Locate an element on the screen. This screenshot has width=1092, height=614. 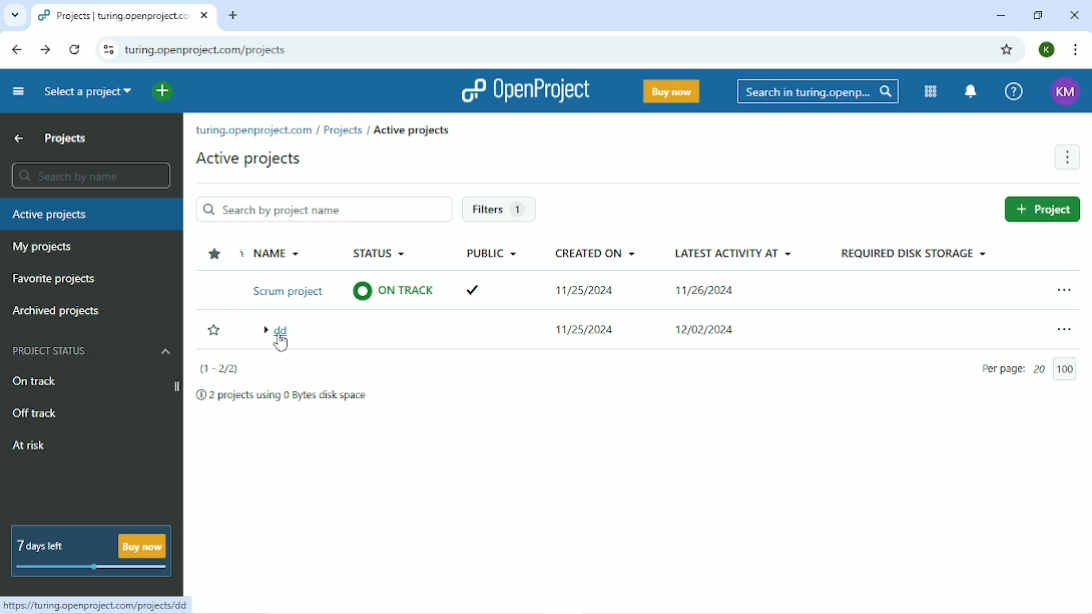
Reload this page is located at coordinates (74, 50).